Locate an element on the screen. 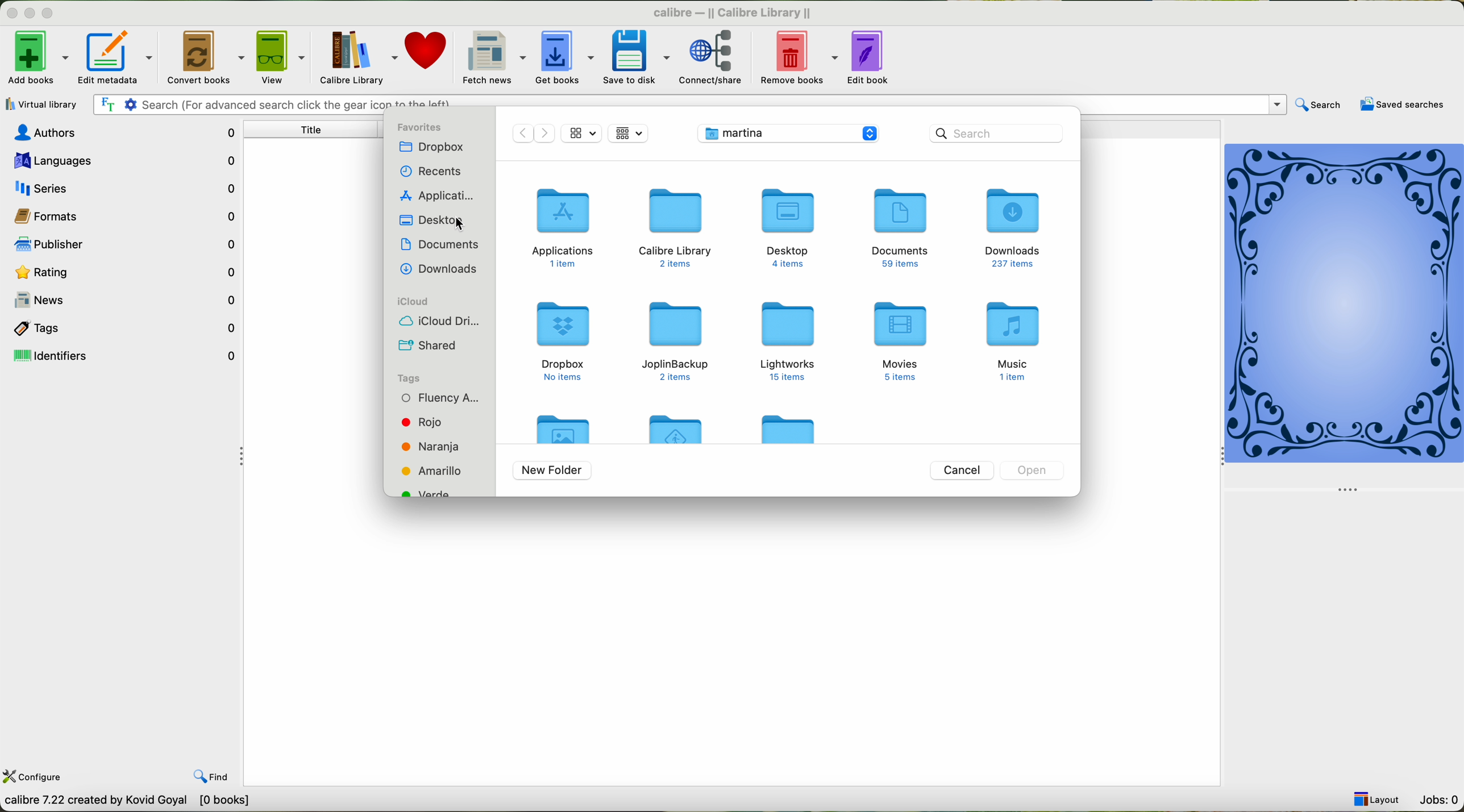  icon is located at coordinates (632, 134).